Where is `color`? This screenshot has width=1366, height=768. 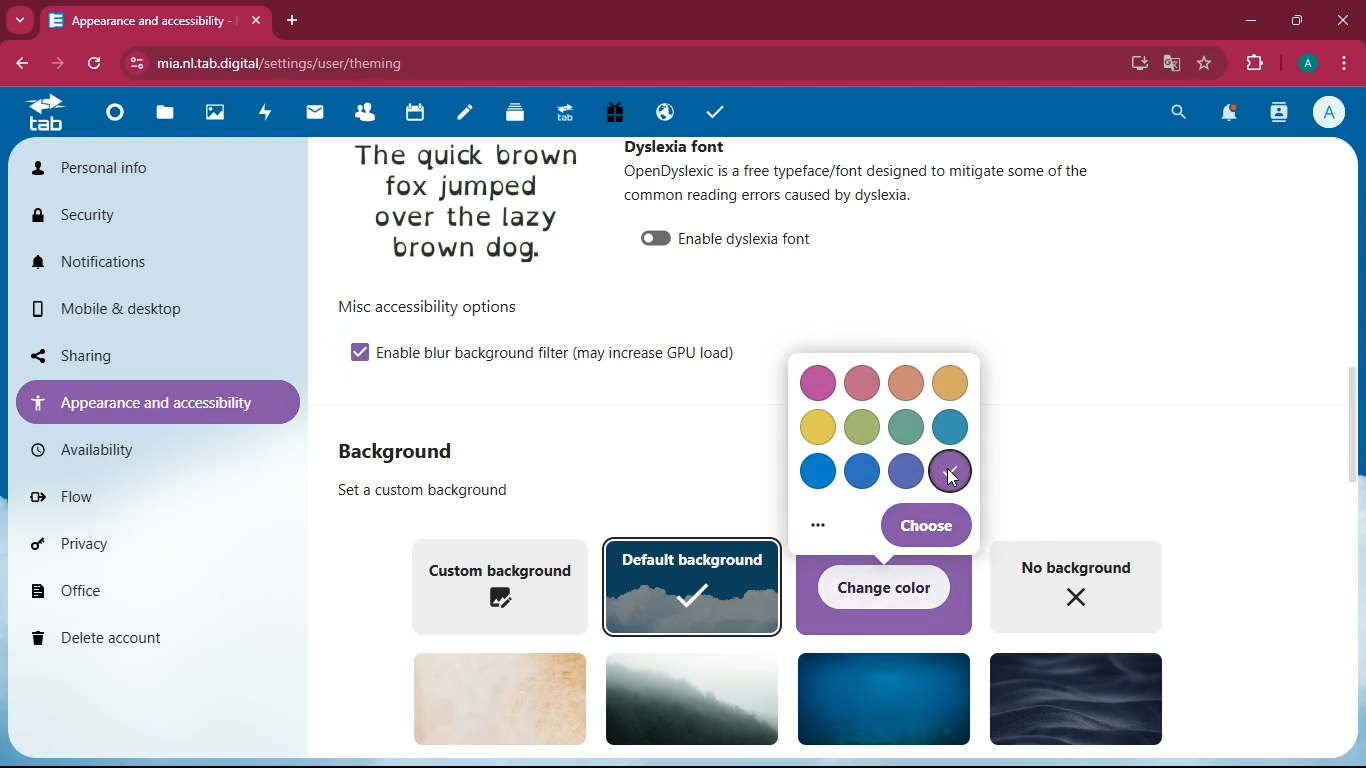
color is located at coordinates (863, 426).